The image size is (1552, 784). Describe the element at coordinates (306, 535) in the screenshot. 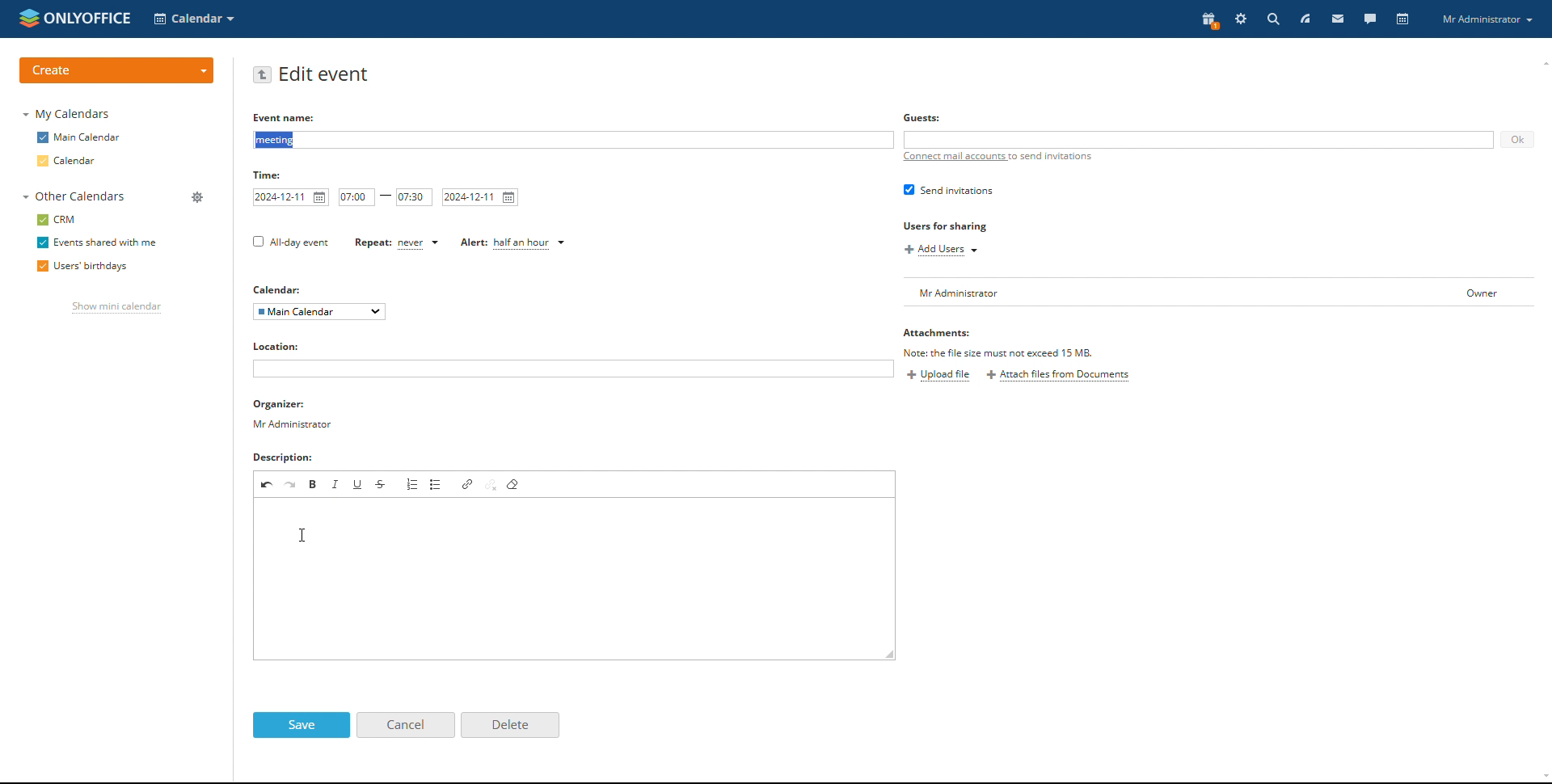

I see `cursor` at that location.